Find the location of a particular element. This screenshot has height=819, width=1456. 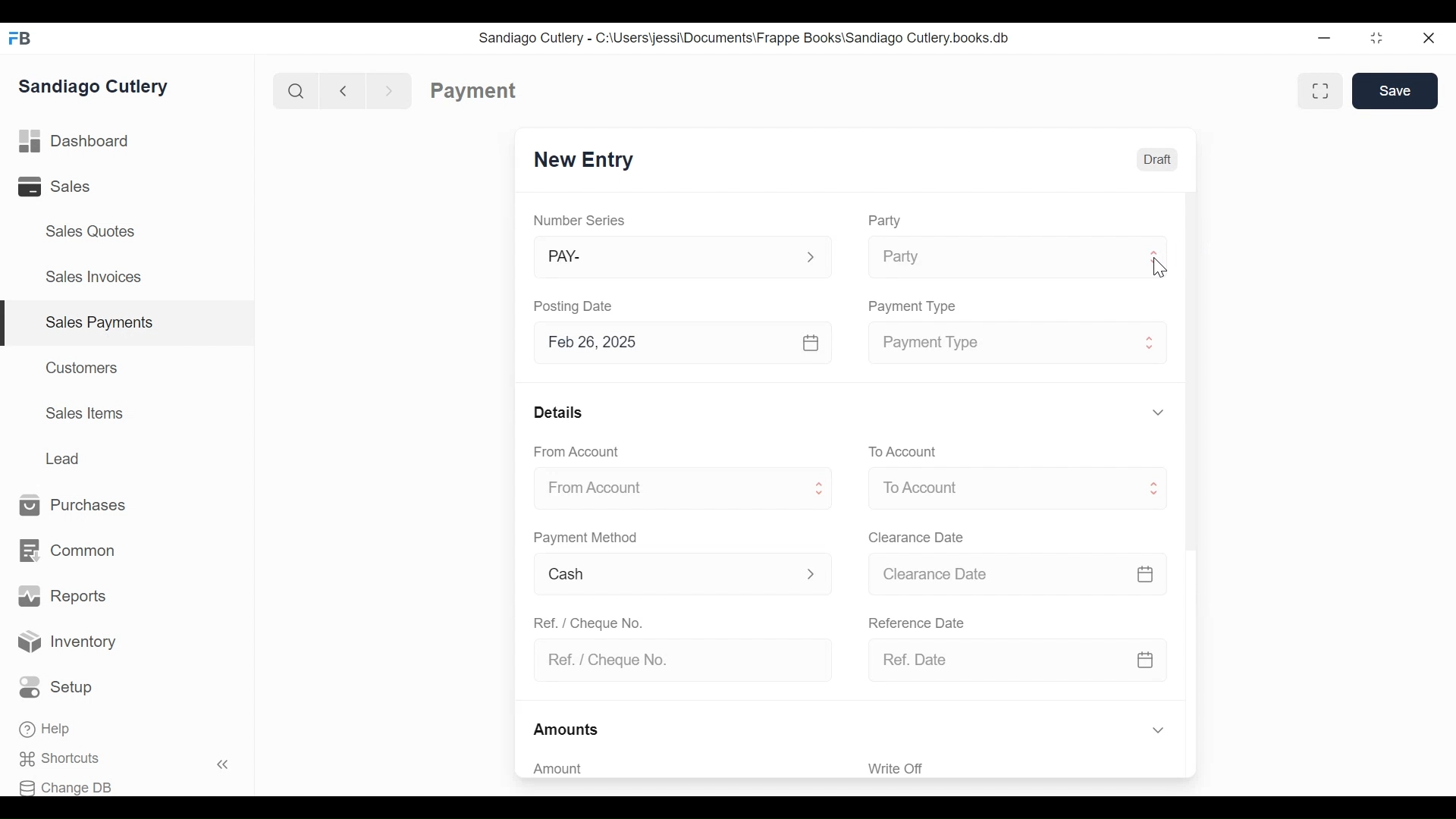

Expand is located at coordinates (1157, 731).